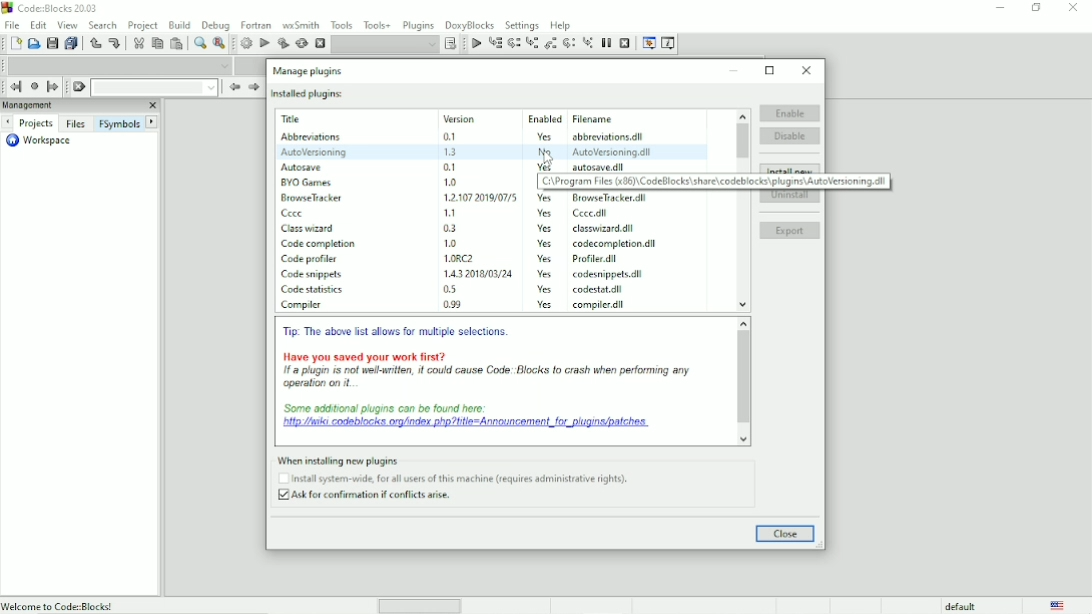 This screenshot has height=614, width=1092. Describe the element at coordinates (475, 44) in the screenshot. I see `Debug/Continue` at that location.